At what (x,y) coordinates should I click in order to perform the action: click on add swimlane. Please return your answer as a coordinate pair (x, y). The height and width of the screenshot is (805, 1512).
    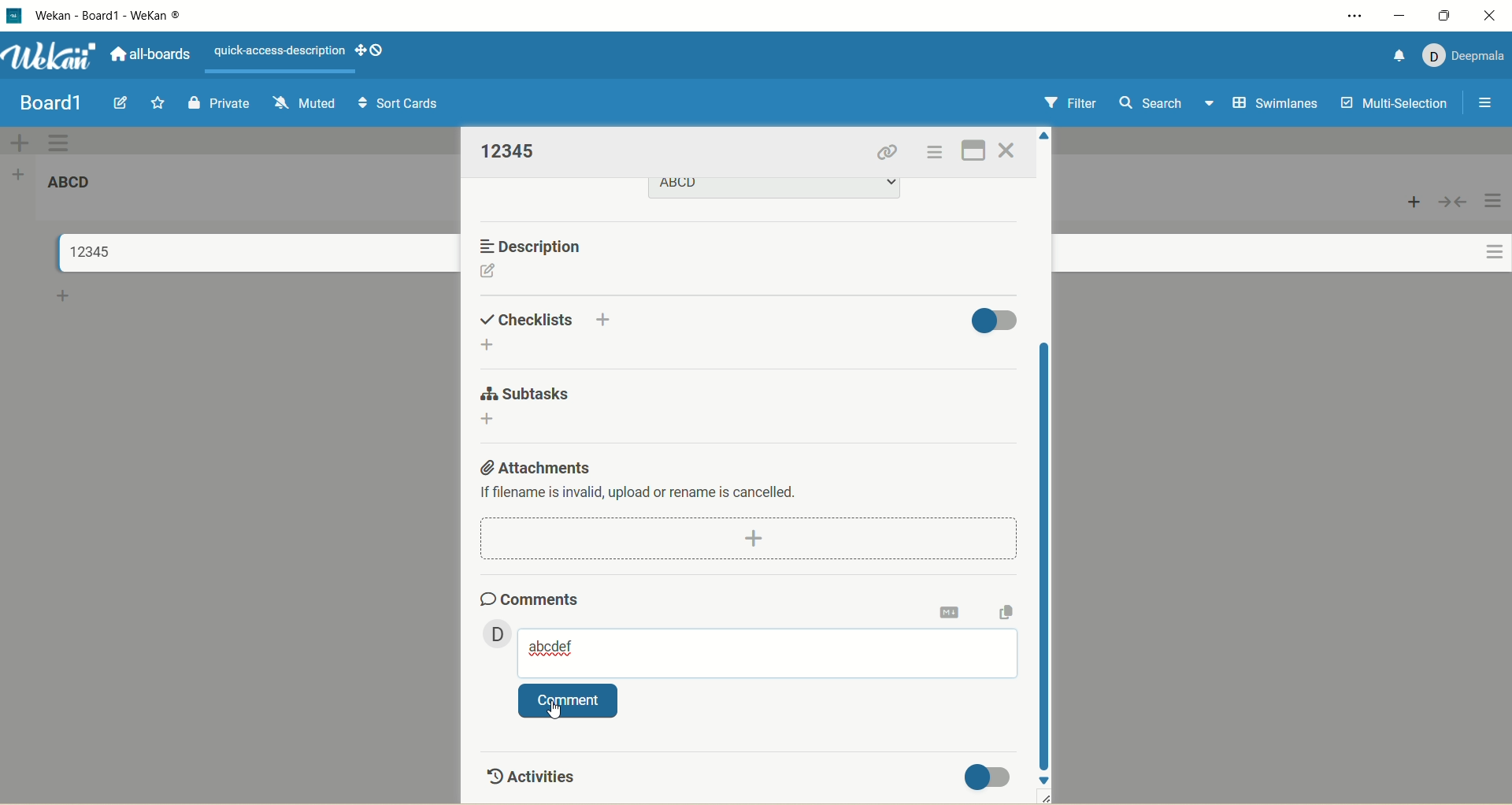
    Looking at the image, I should click on (17, 142).